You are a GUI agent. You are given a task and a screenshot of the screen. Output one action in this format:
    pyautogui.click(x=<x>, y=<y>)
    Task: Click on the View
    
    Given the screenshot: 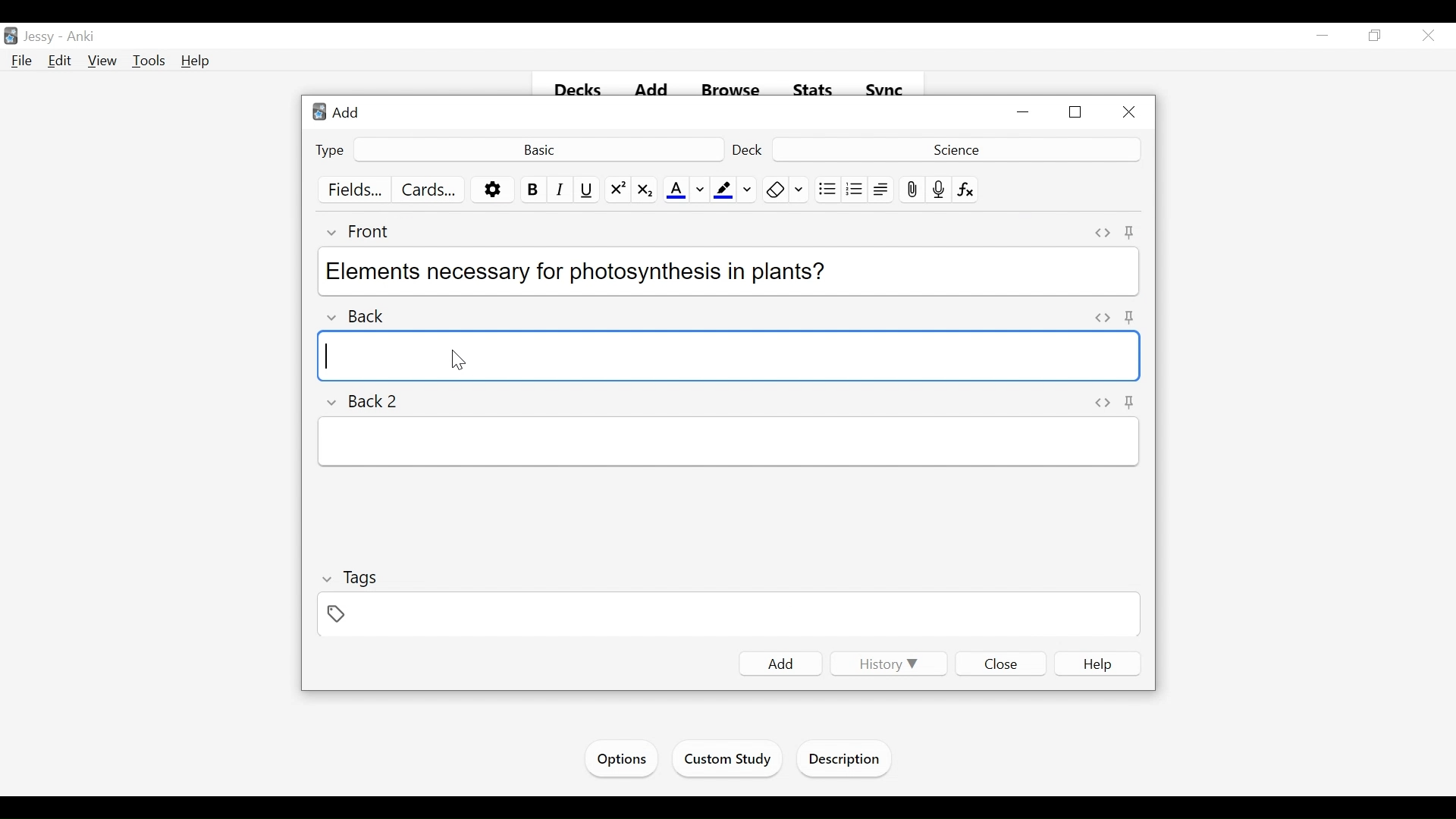 What is the action you would take?
    pyautogui.click(x=103, y=61)
    